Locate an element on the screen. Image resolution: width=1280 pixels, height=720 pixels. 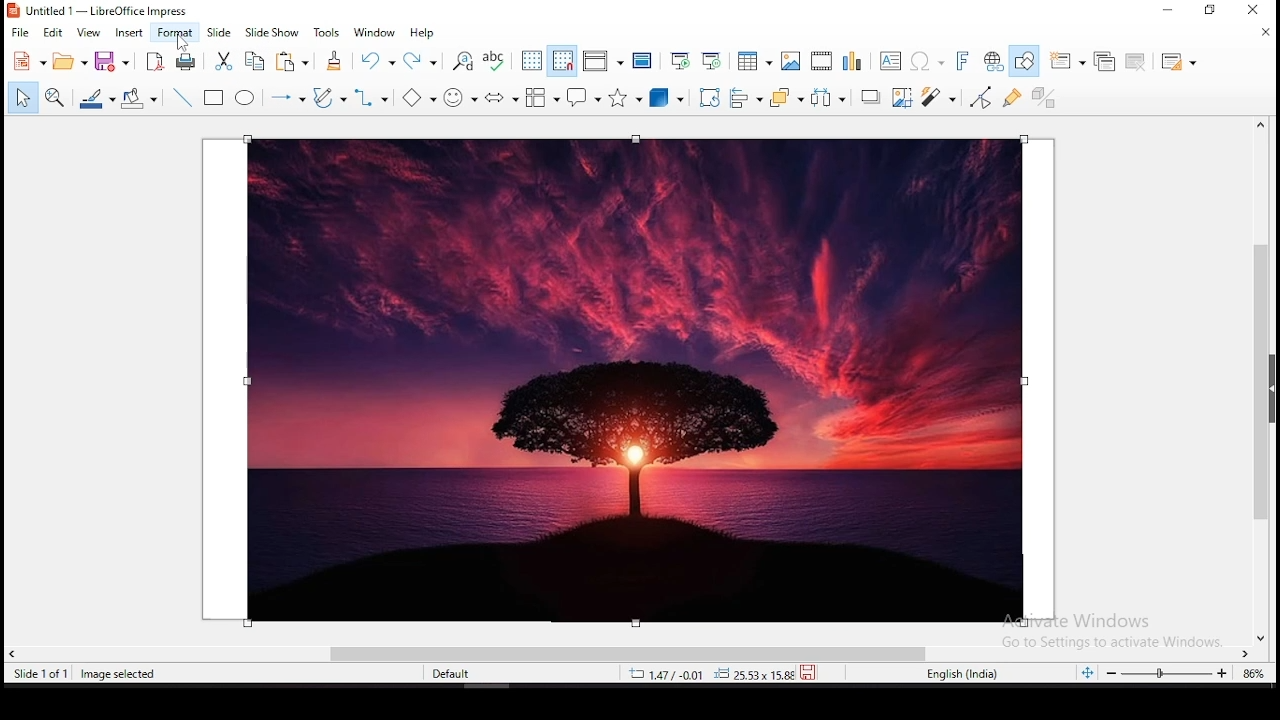
snap to grid is located at coordinates (561, 62).